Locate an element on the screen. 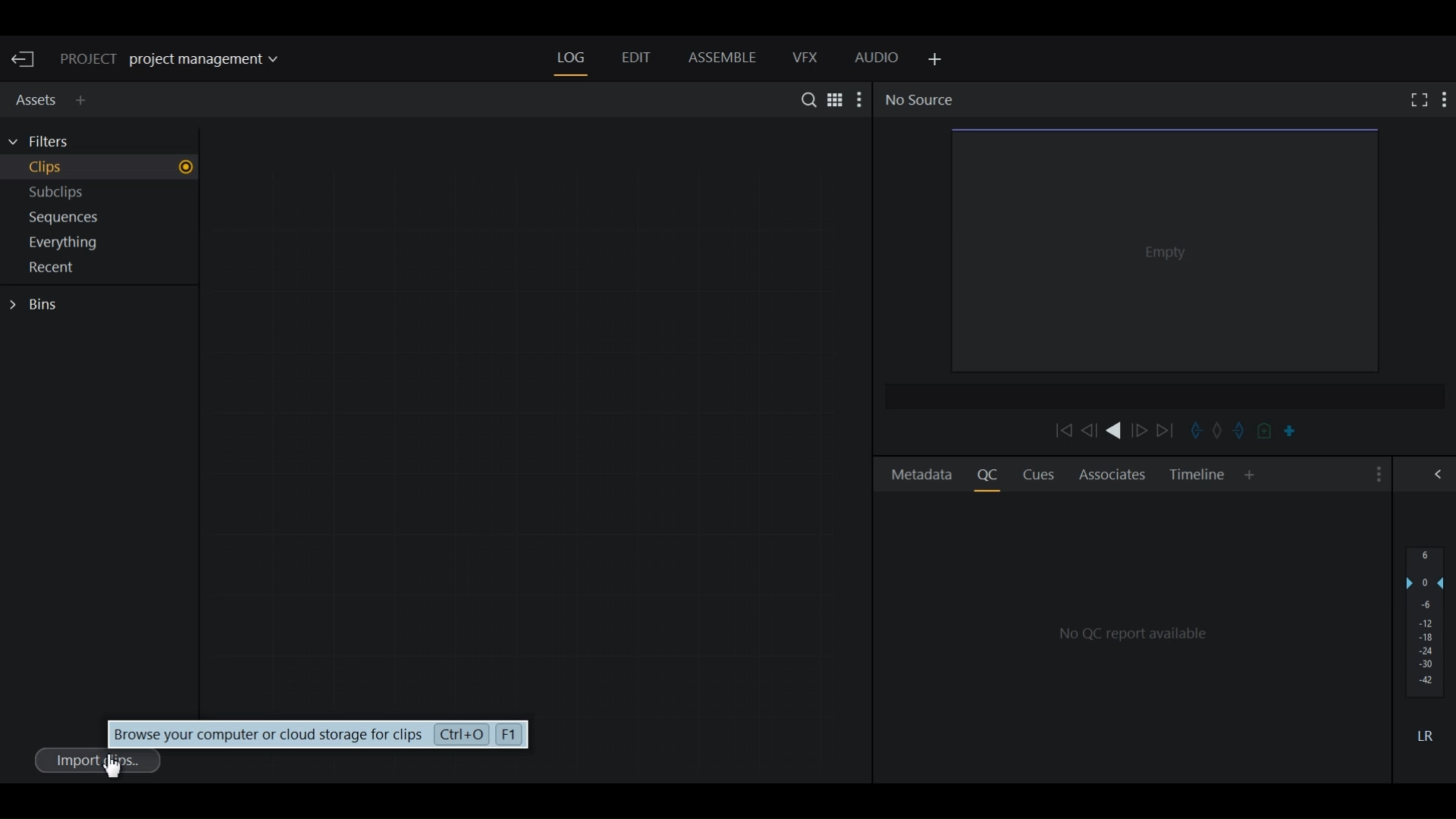 This screenshot has height=819, width=1456. Add cue is located at coordinates (1266, 432).